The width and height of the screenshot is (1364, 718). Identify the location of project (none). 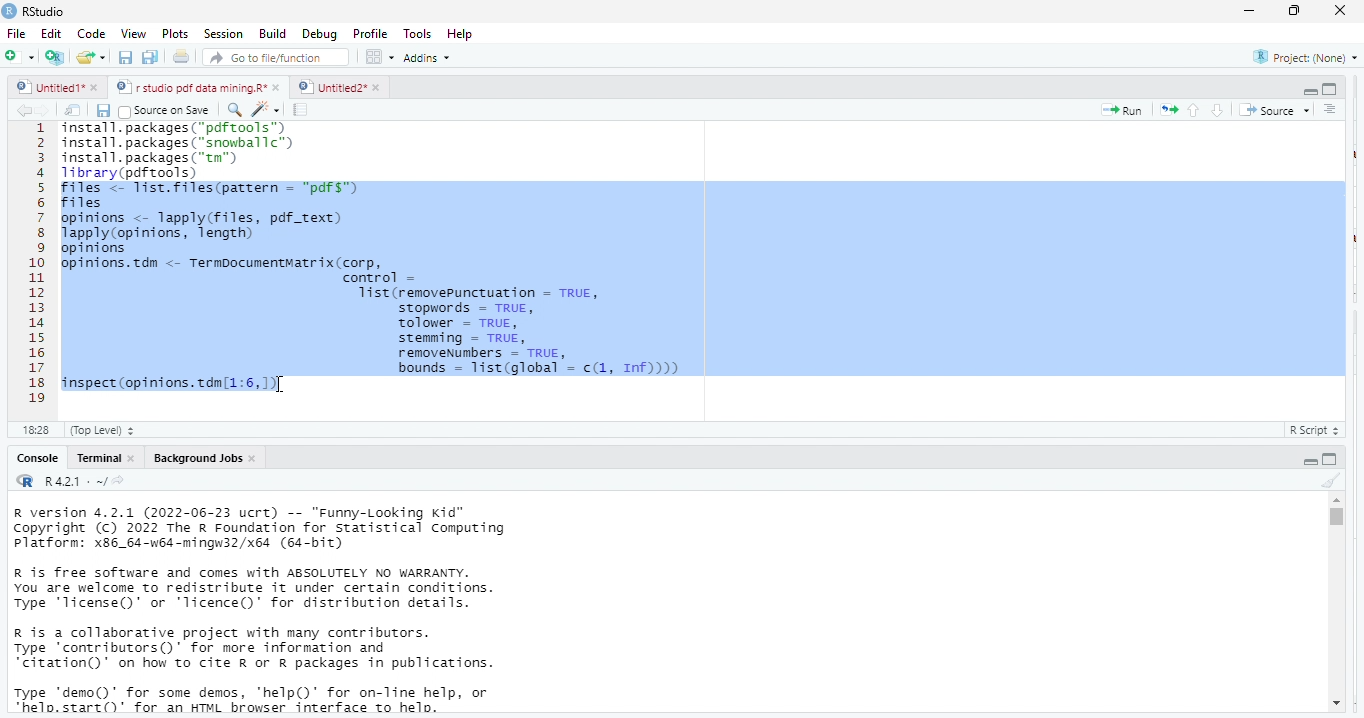
(1300, 57).